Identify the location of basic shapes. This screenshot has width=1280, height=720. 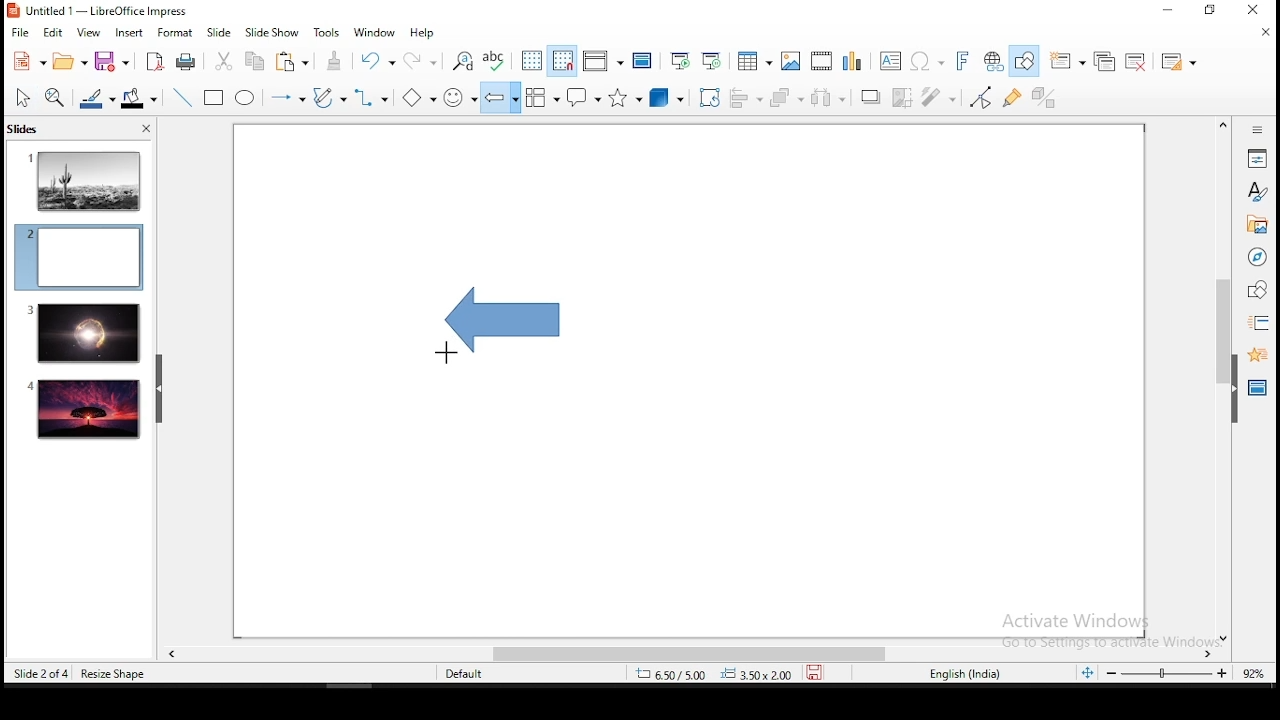
(415, 98).